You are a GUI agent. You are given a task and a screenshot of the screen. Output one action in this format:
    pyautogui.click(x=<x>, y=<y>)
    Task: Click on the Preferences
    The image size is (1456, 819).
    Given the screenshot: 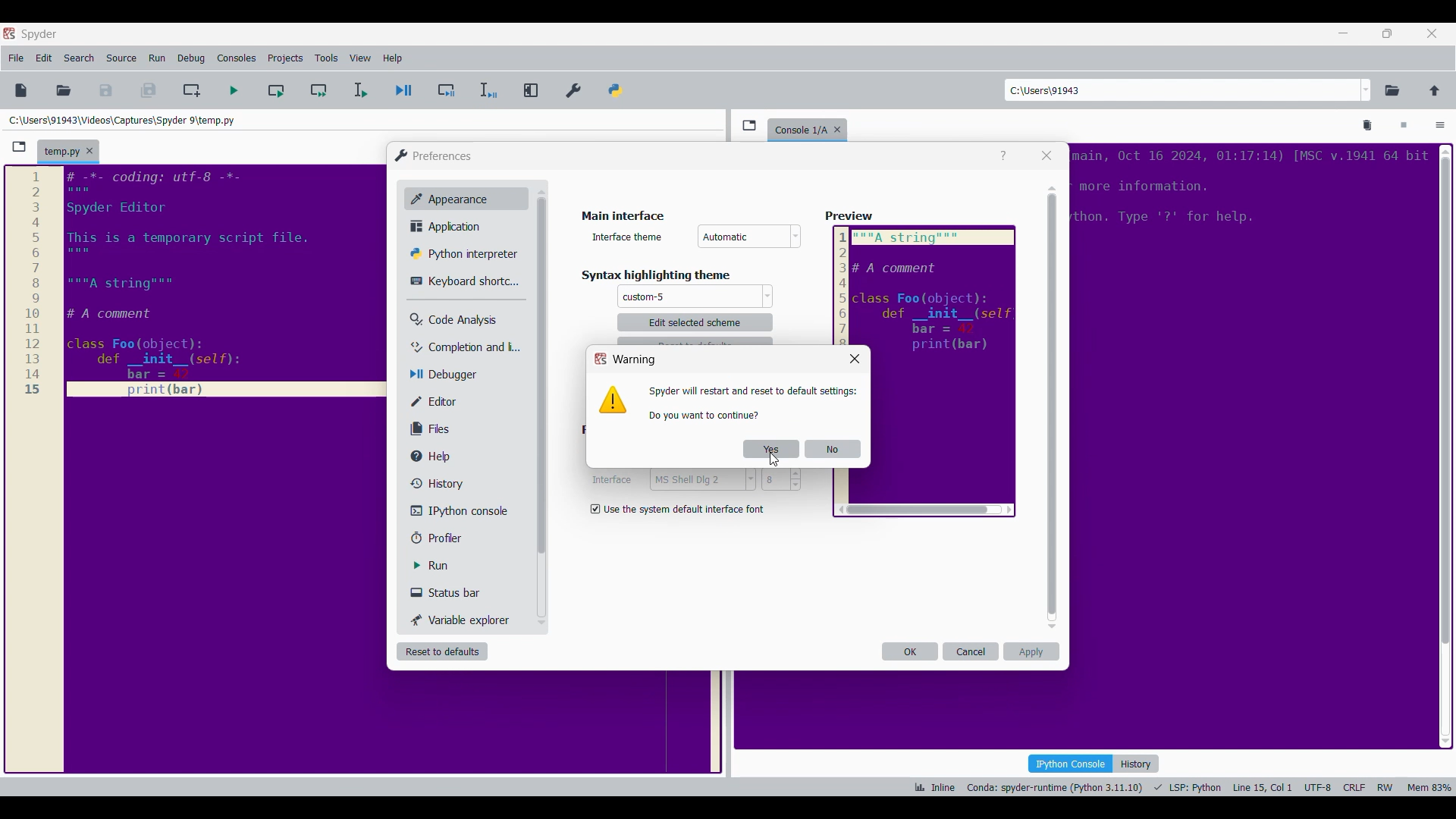 What is the action you would take?
    pyautogui.click(x=574, y=91)
    